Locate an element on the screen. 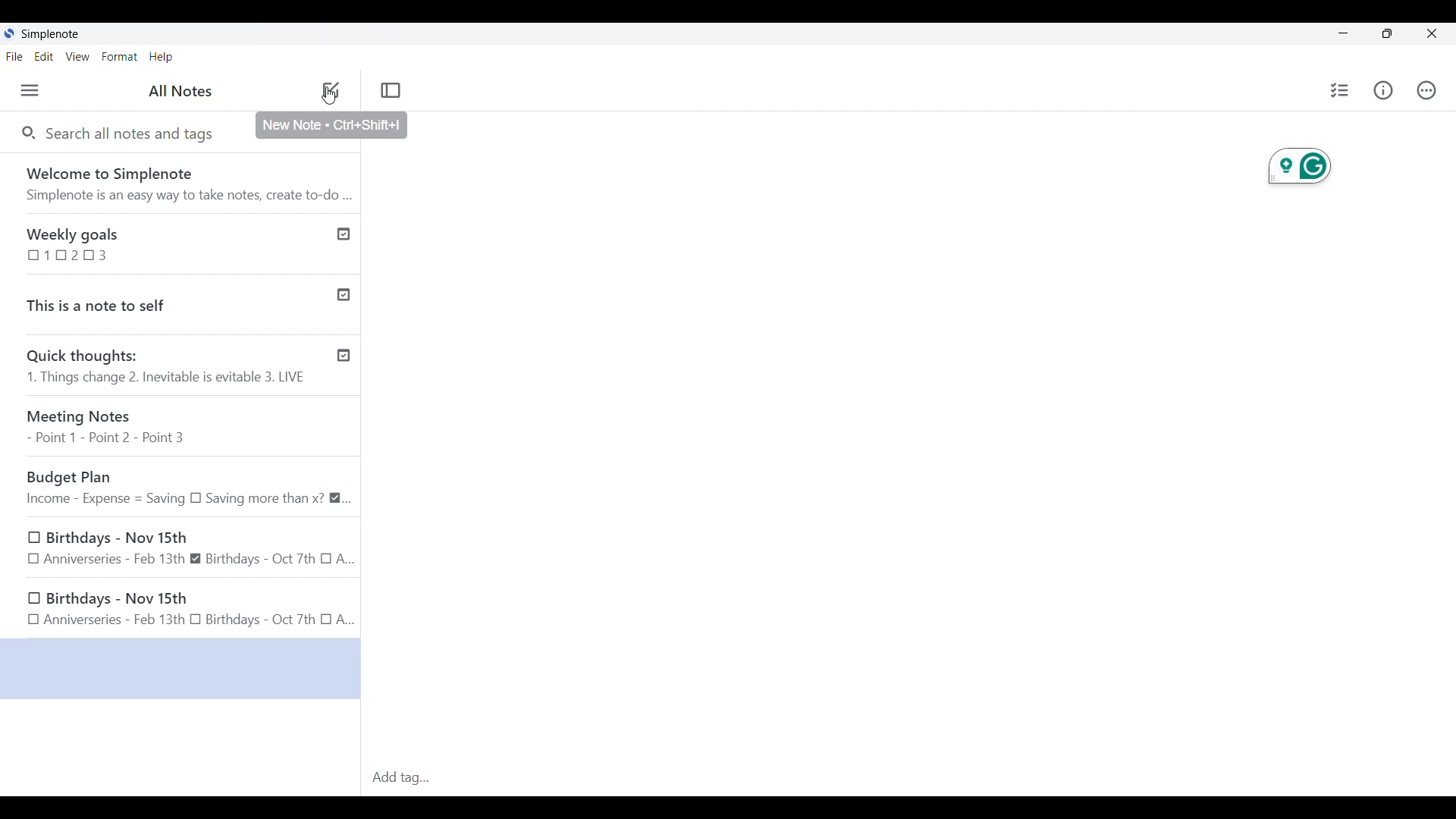 The image size is (1456, 819). Minimize is located at coordinates (1343, 33).